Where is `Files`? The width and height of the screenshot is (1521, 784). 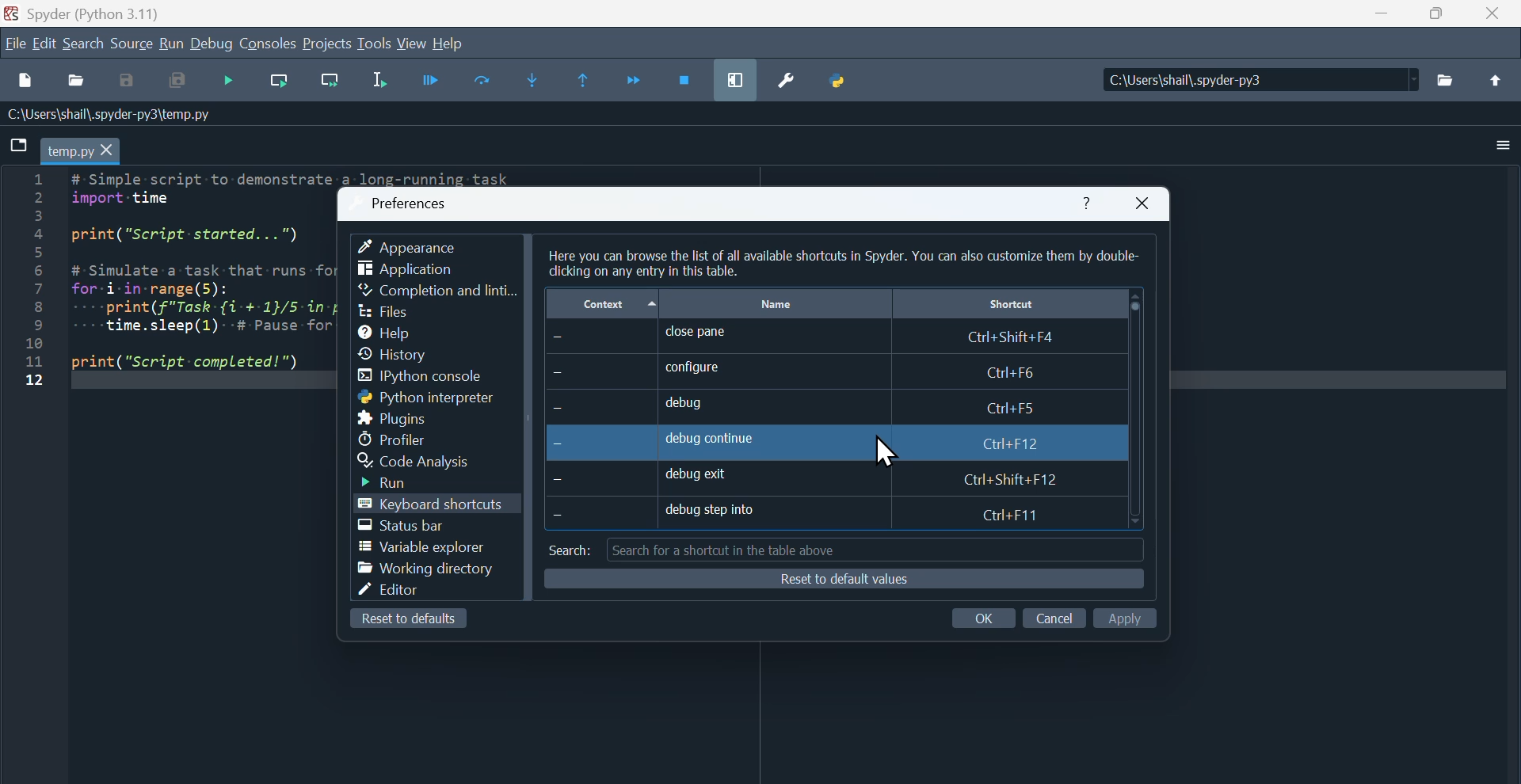
Files is located at coordinates (387, 310).